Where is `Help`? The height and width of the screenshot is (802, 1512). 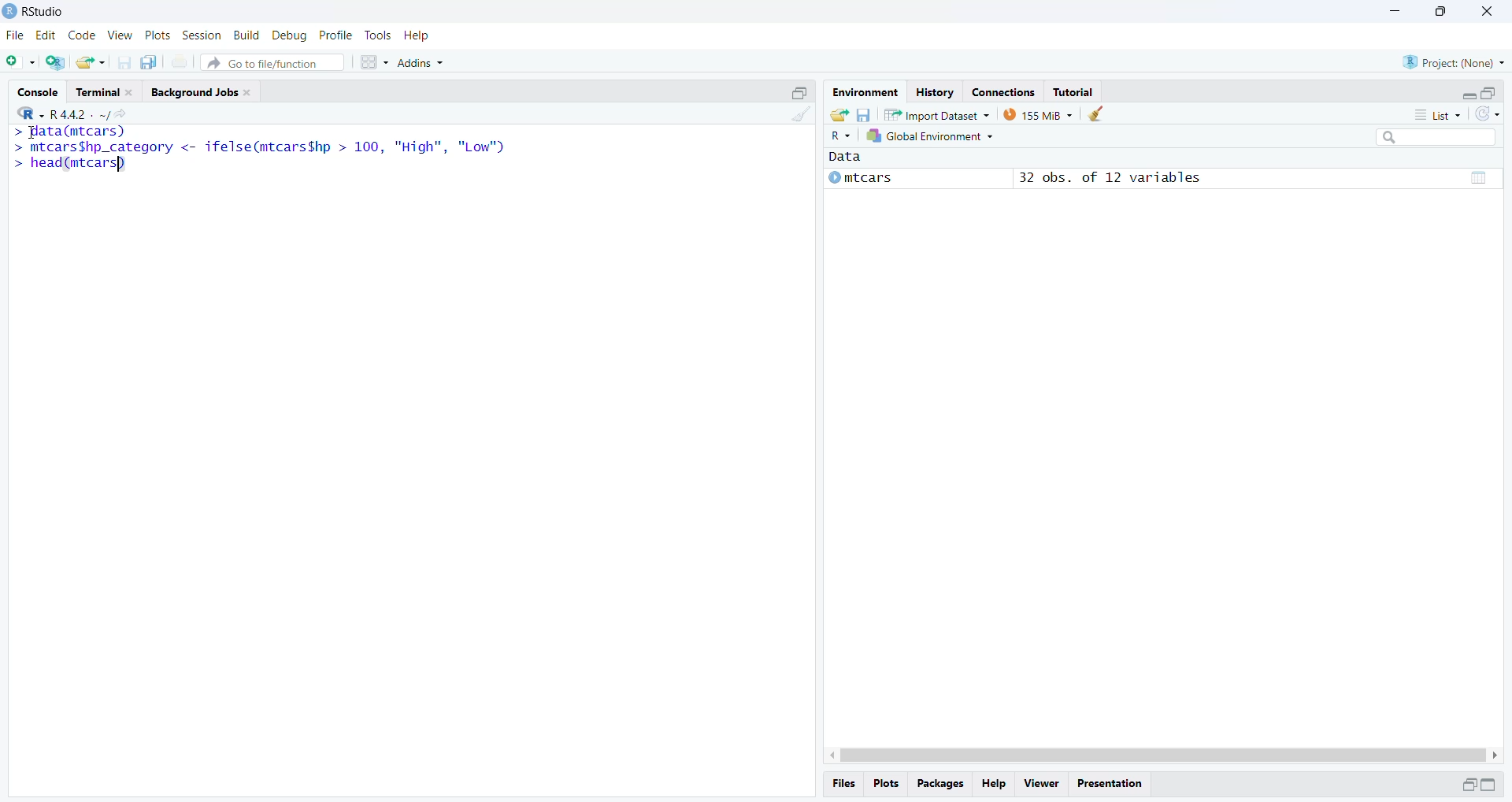
Help is located at coordinates (418, 35).